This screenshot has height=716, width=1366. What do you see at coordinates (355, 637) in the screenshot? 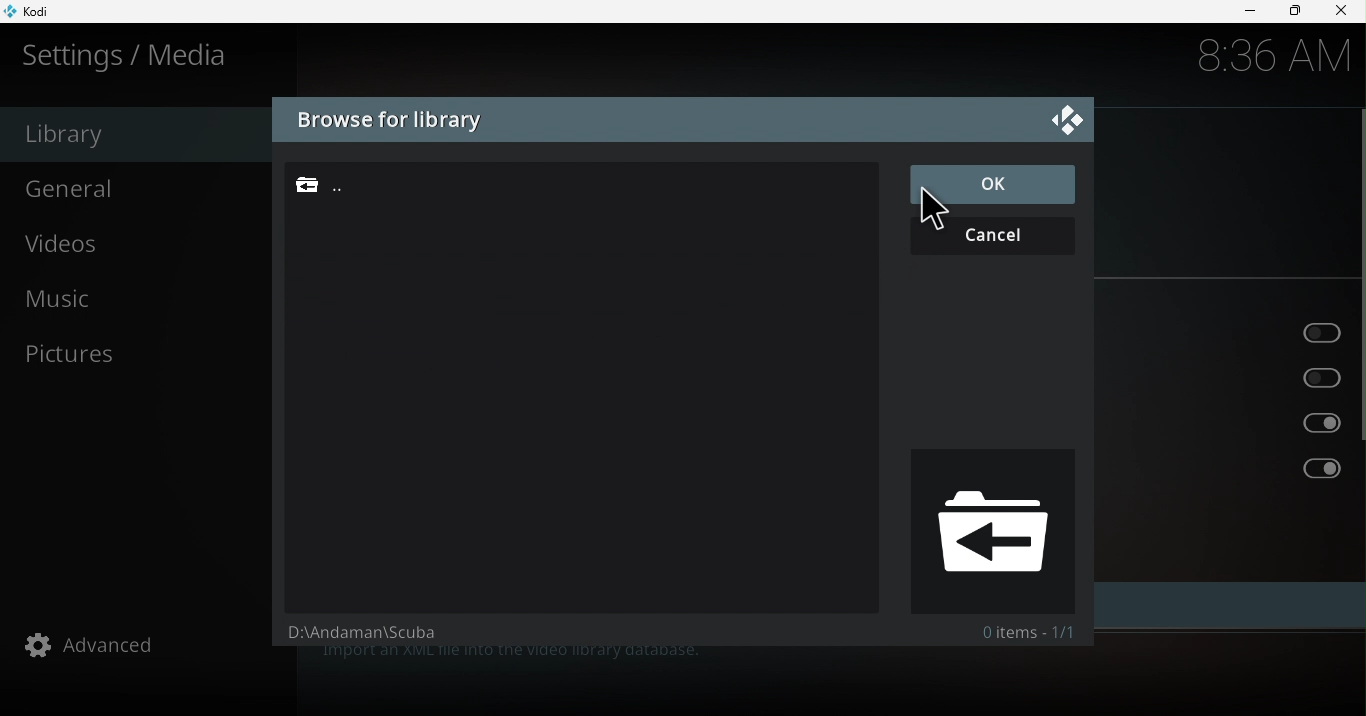
I see `address` at bounding box center [355, 637].